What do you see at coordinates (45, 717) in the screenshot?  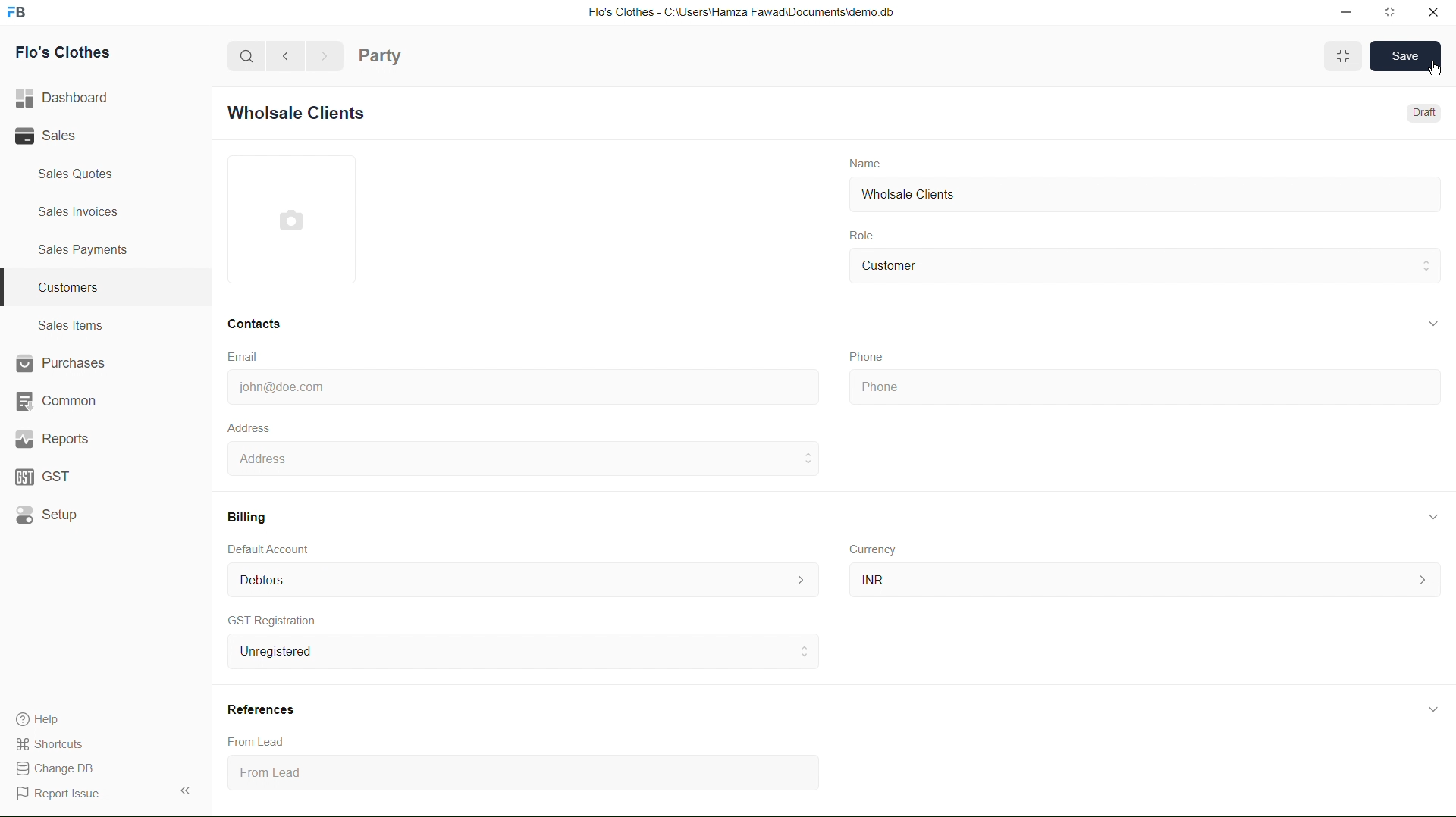 I see ` Help` at bounding box center [45, 717].